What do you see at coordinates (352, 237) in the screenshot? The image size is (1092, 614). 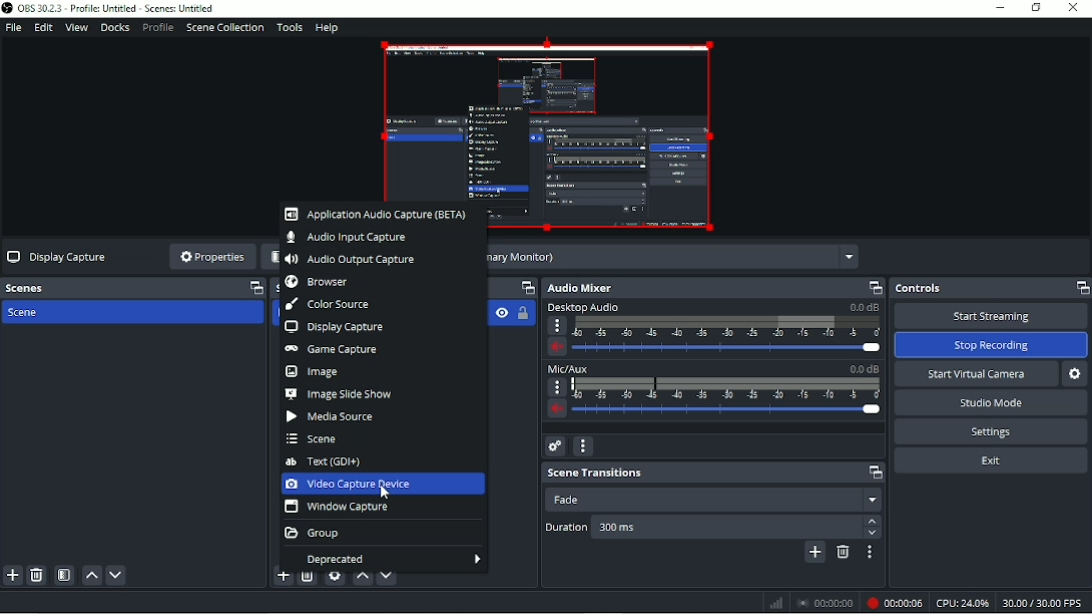 I see `Audio input capture` at bounding box center [352, 237].